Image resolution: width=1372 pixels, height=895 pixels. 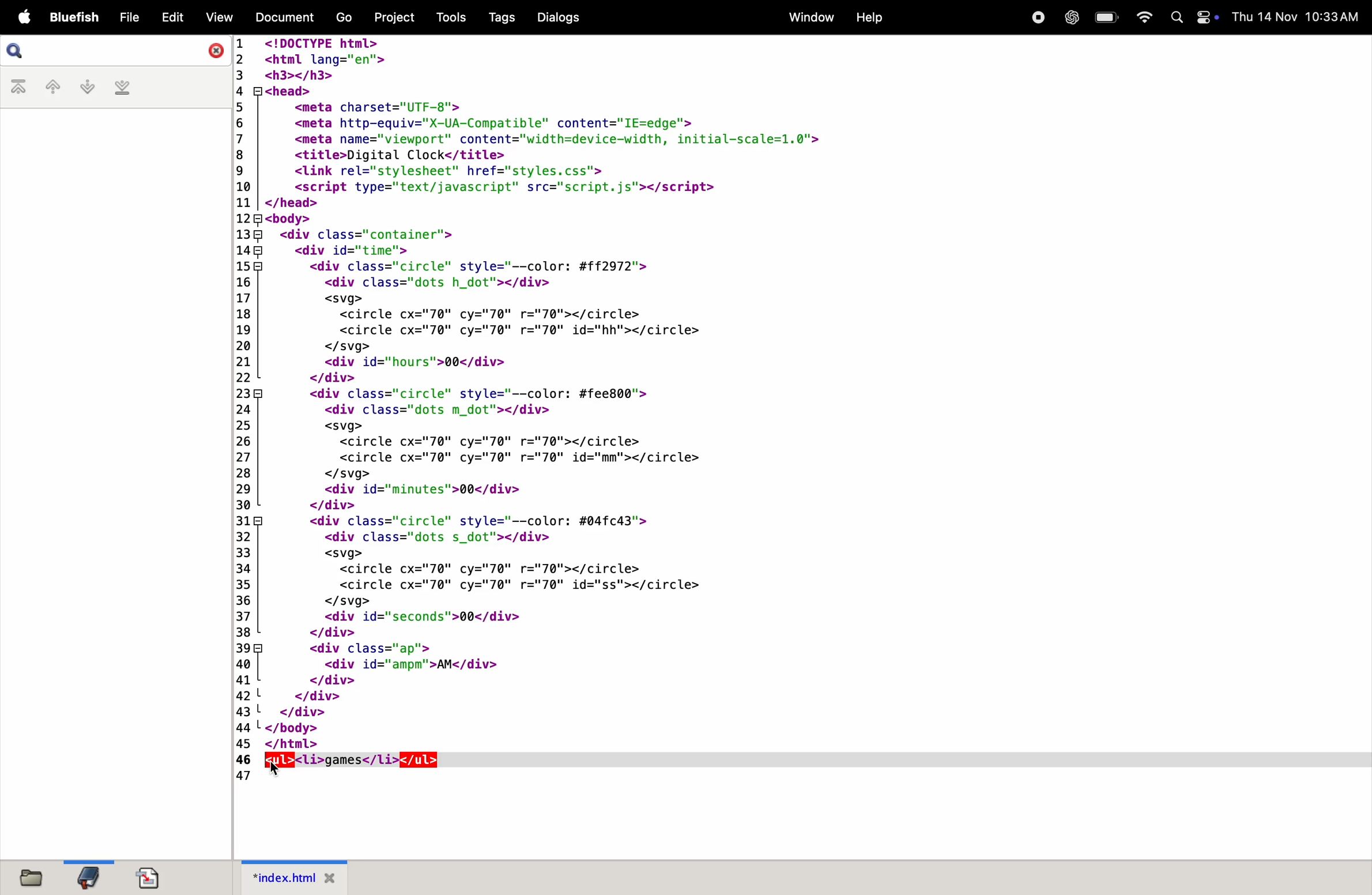 What do you see at coordinates (661, 410) in the screenshot?
I see `code for inserting a comment in HTML` at bounding box center [661, 410].